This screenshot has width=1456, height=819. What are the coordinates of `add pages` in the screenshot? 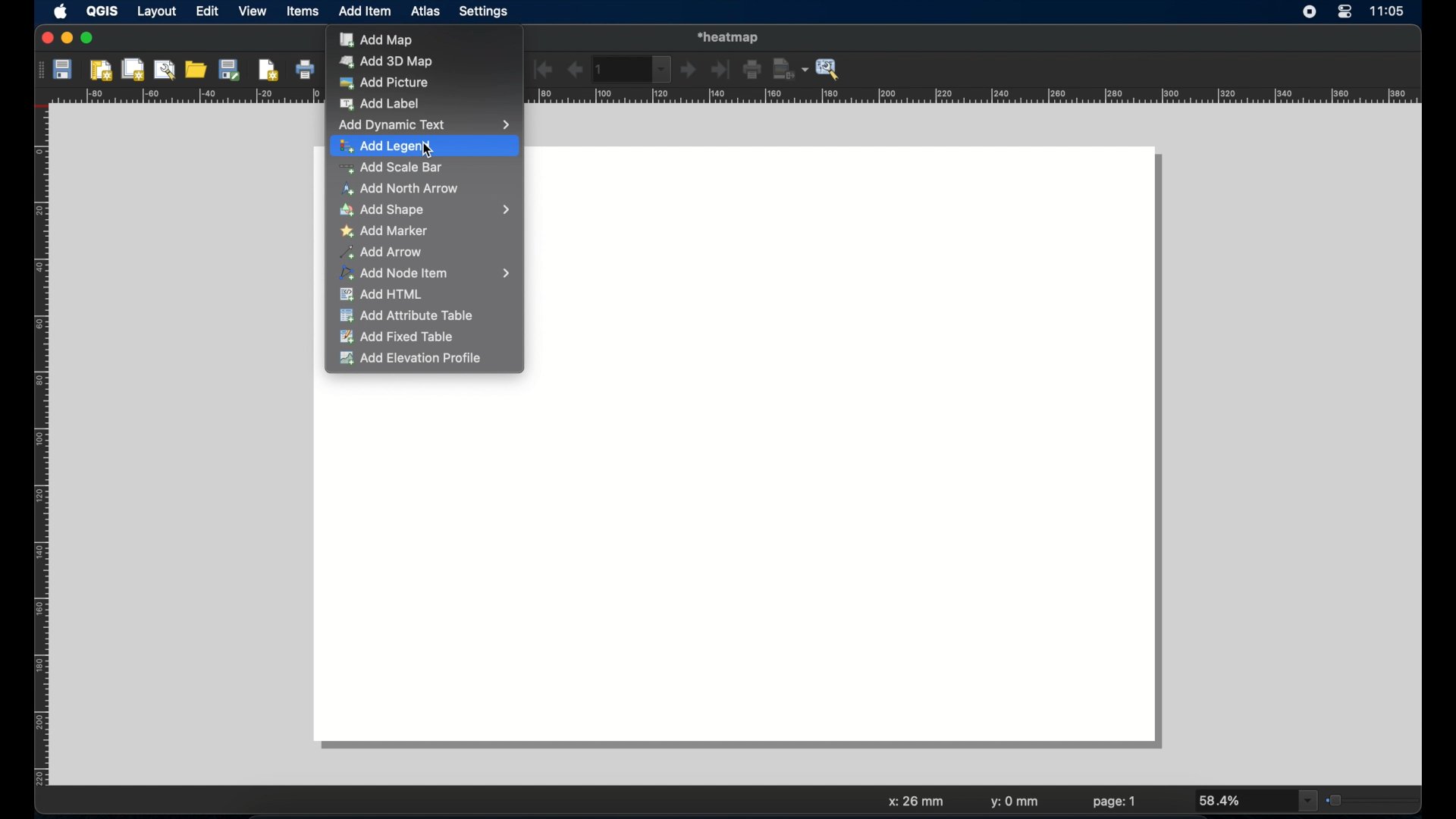 It's located at (268, 71).